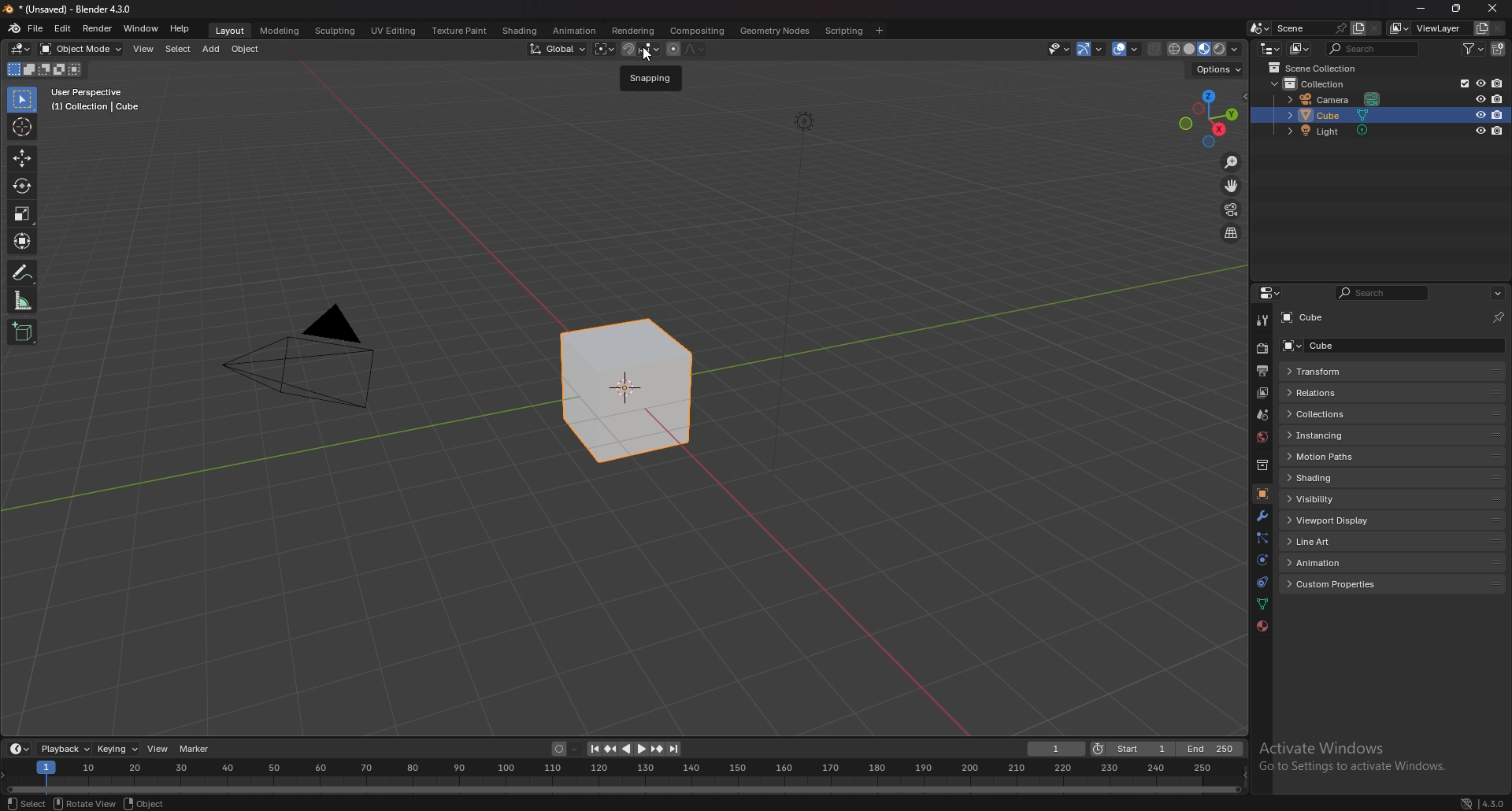 Image resolution: width=1512 pixels, height=811 pixels. I want to click on view, so click(143, 50).